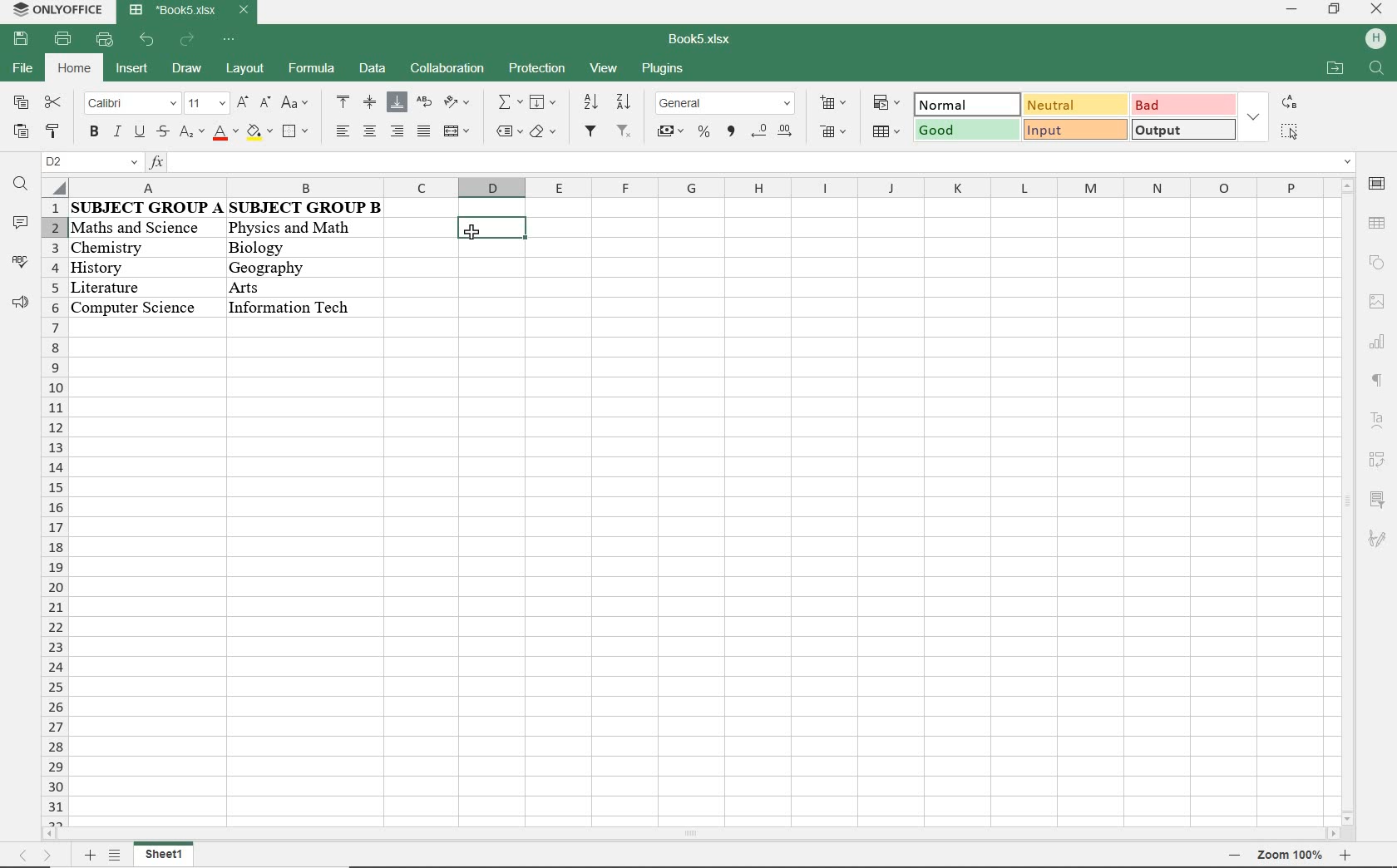 This screenshot has height=868, width=1397. What do you see at coordinates (589, 102) in the screenshot?
I see `sort ascending` at bounding box center [589, 102].